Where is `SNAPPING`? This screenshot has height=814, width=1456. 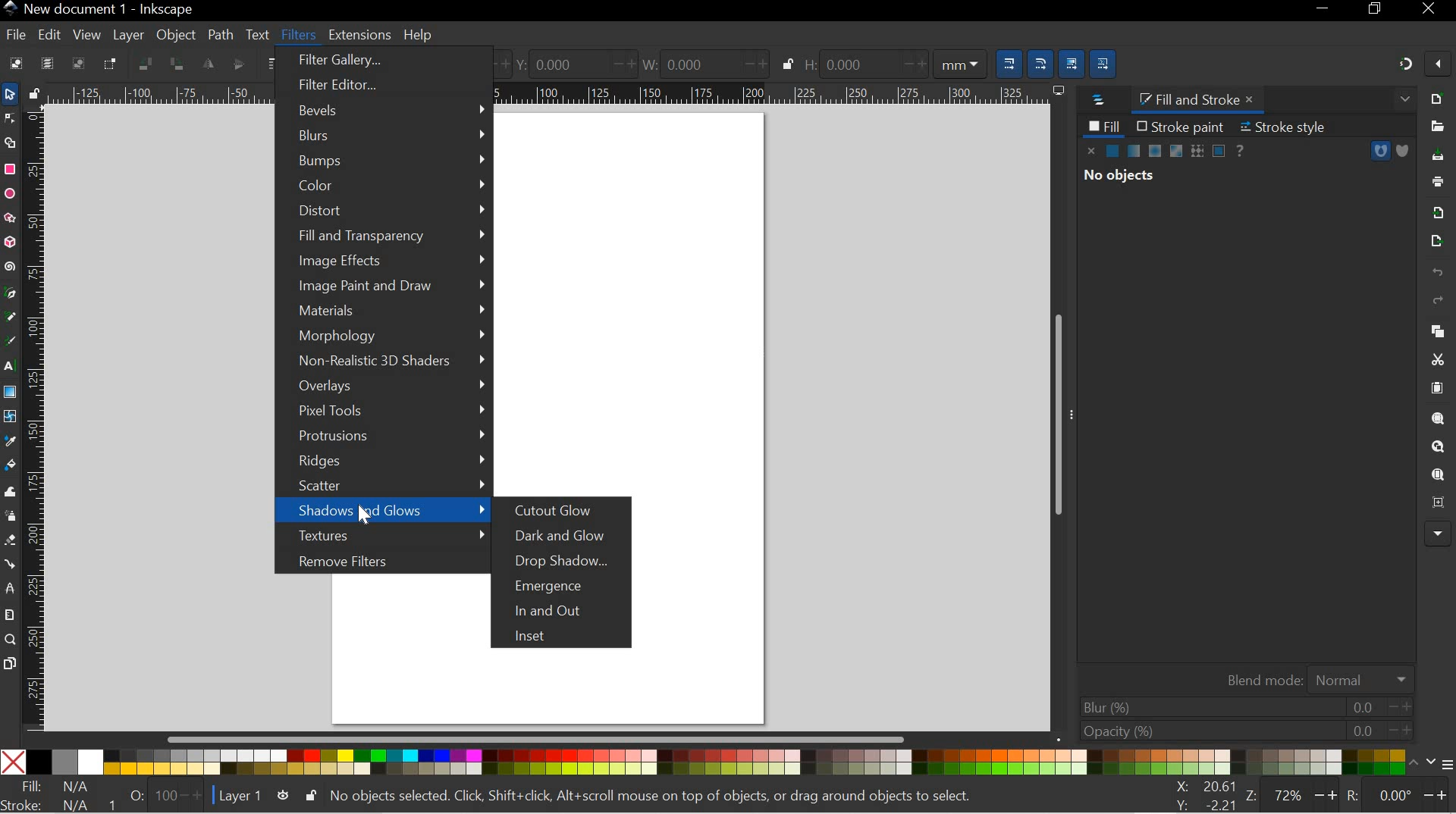 SNAPPING is located at coordinates (1406, 64).